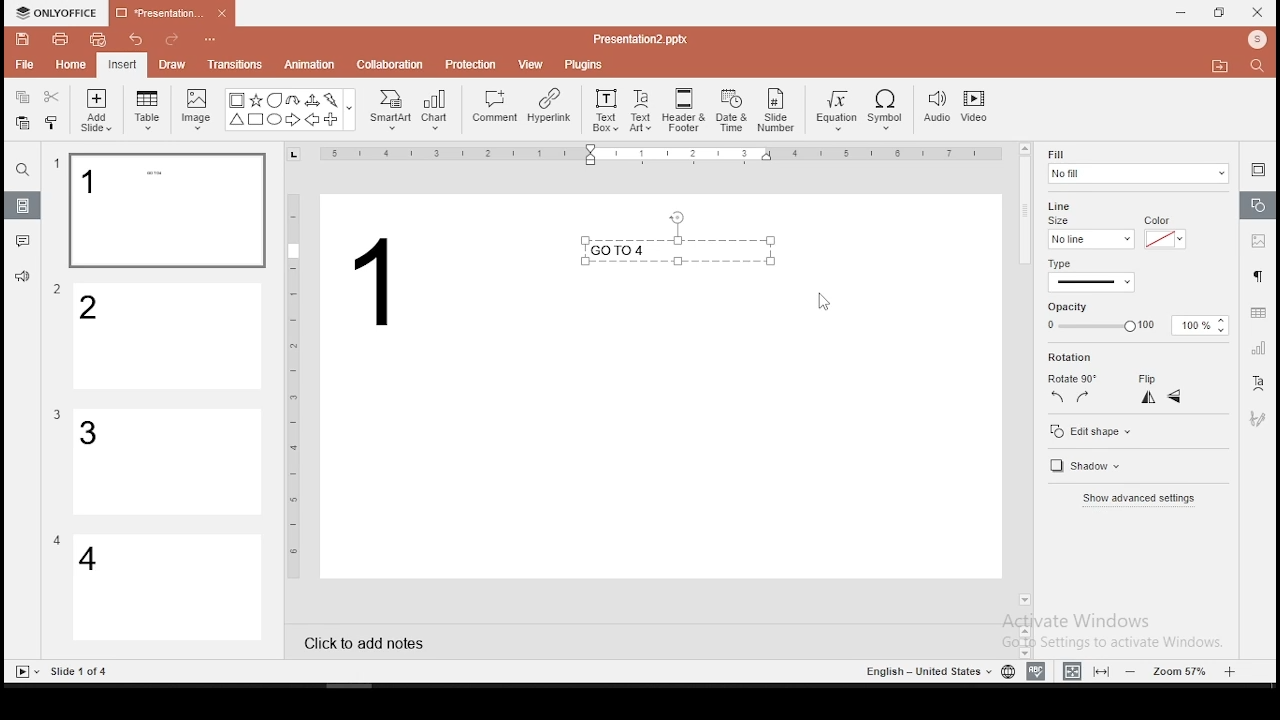  What do you see at coordinates (23, 672) in the screenshot?
I see `Slide` at bounding box center [23, 672].